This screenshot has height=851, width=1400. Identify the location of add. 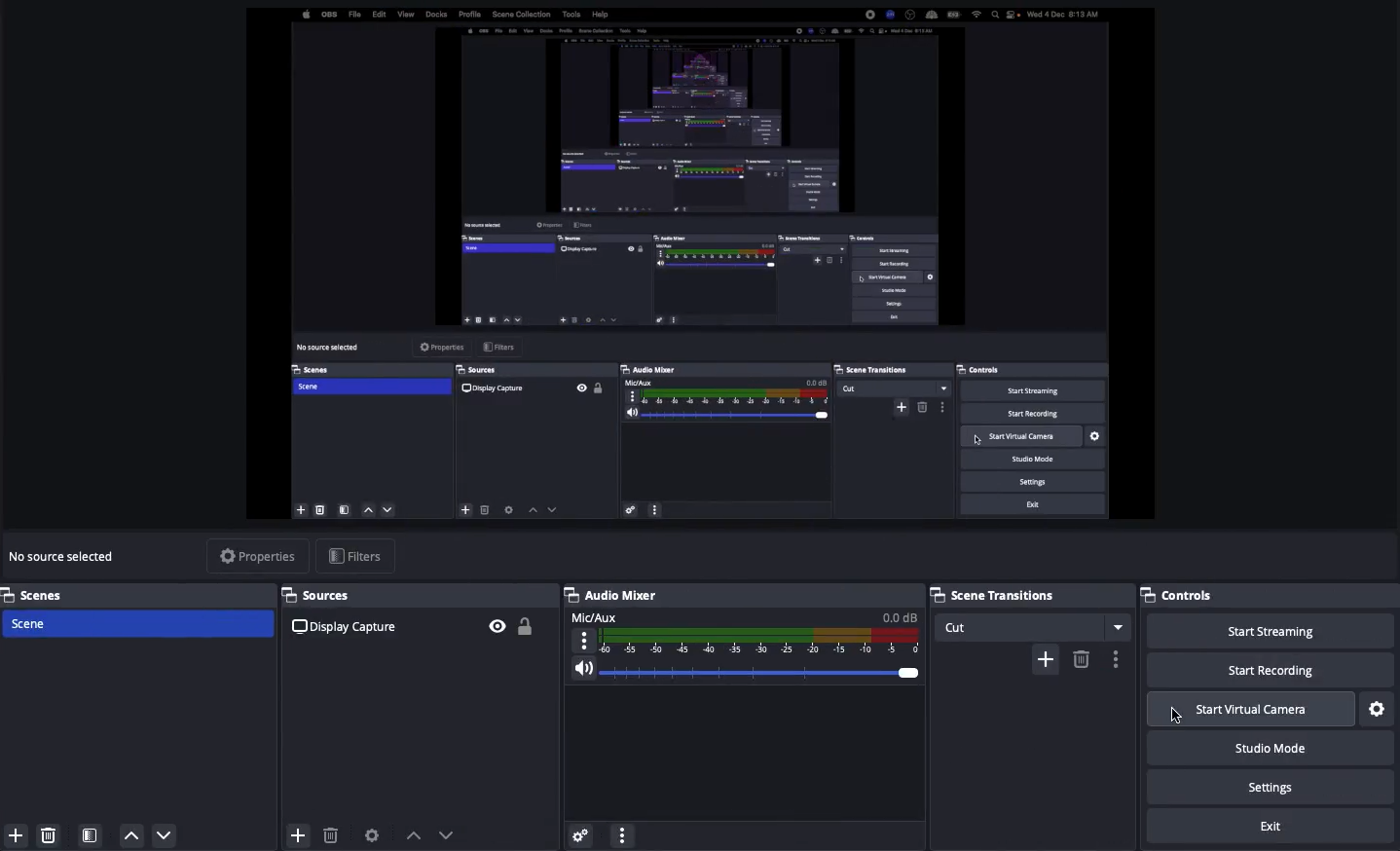
(1039, 657).